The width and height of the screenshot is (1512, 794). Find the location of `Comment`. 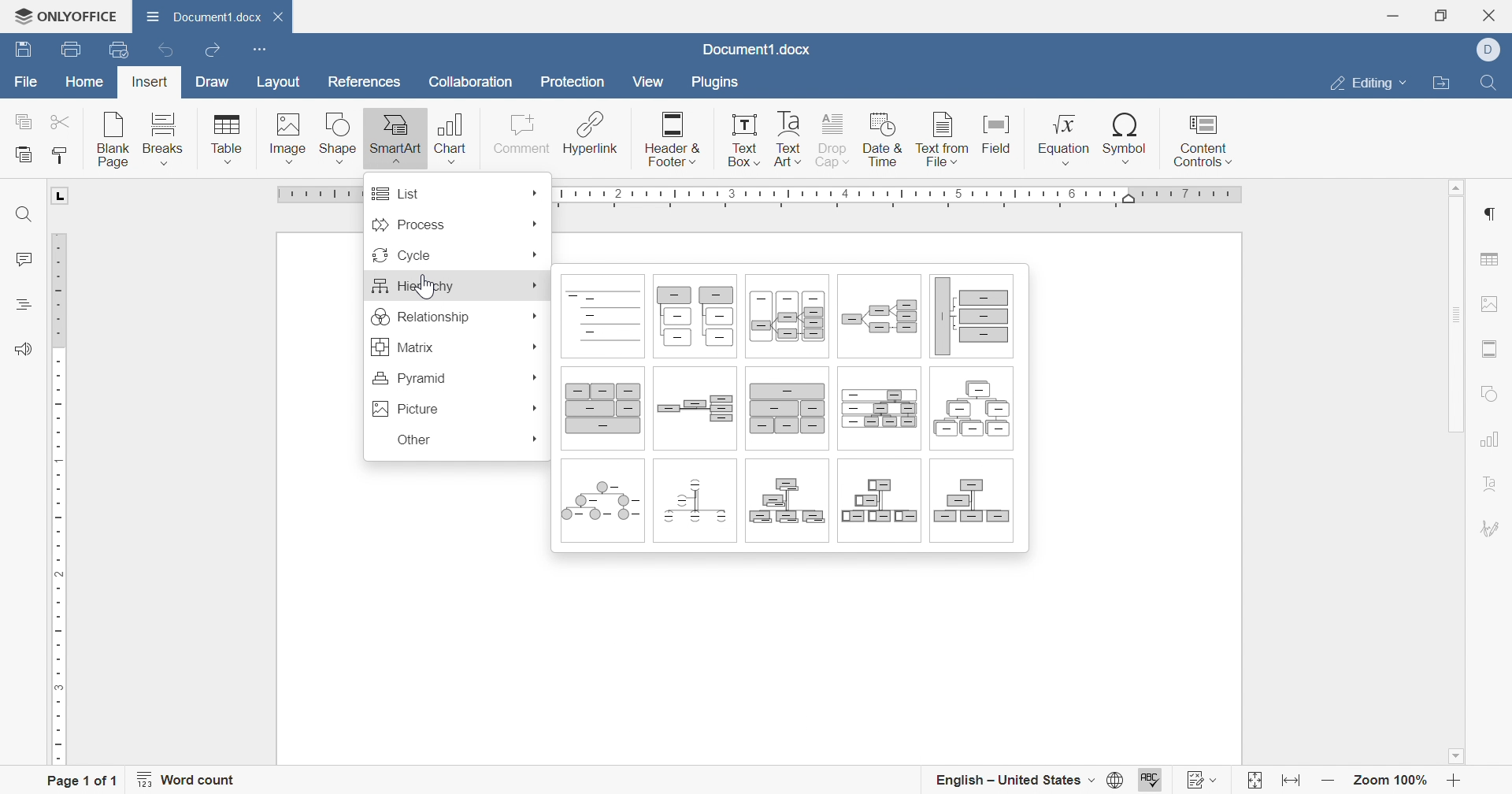

Comment is located at coordinates (517, 135).